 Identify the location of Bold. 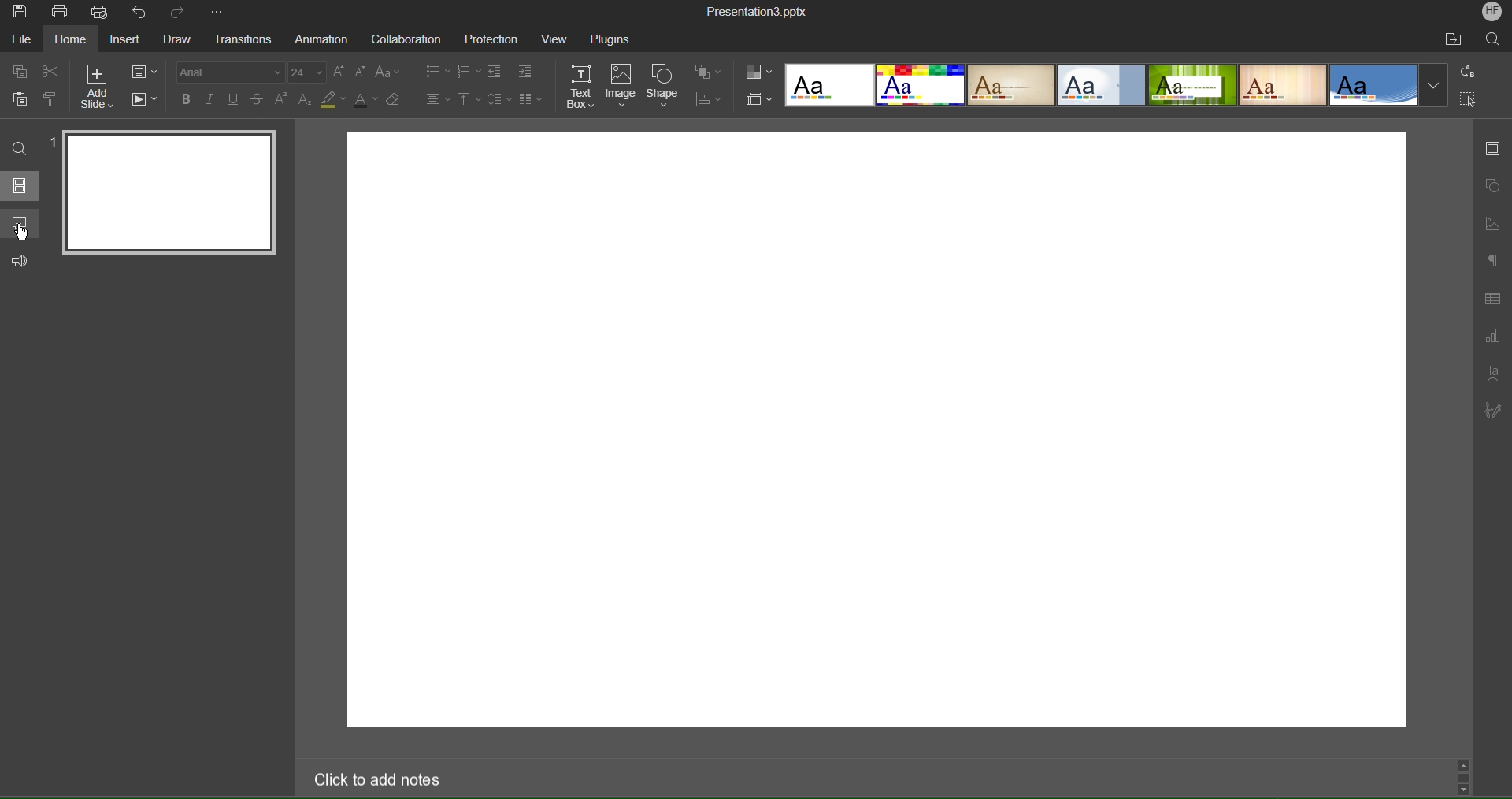
(188, 99).